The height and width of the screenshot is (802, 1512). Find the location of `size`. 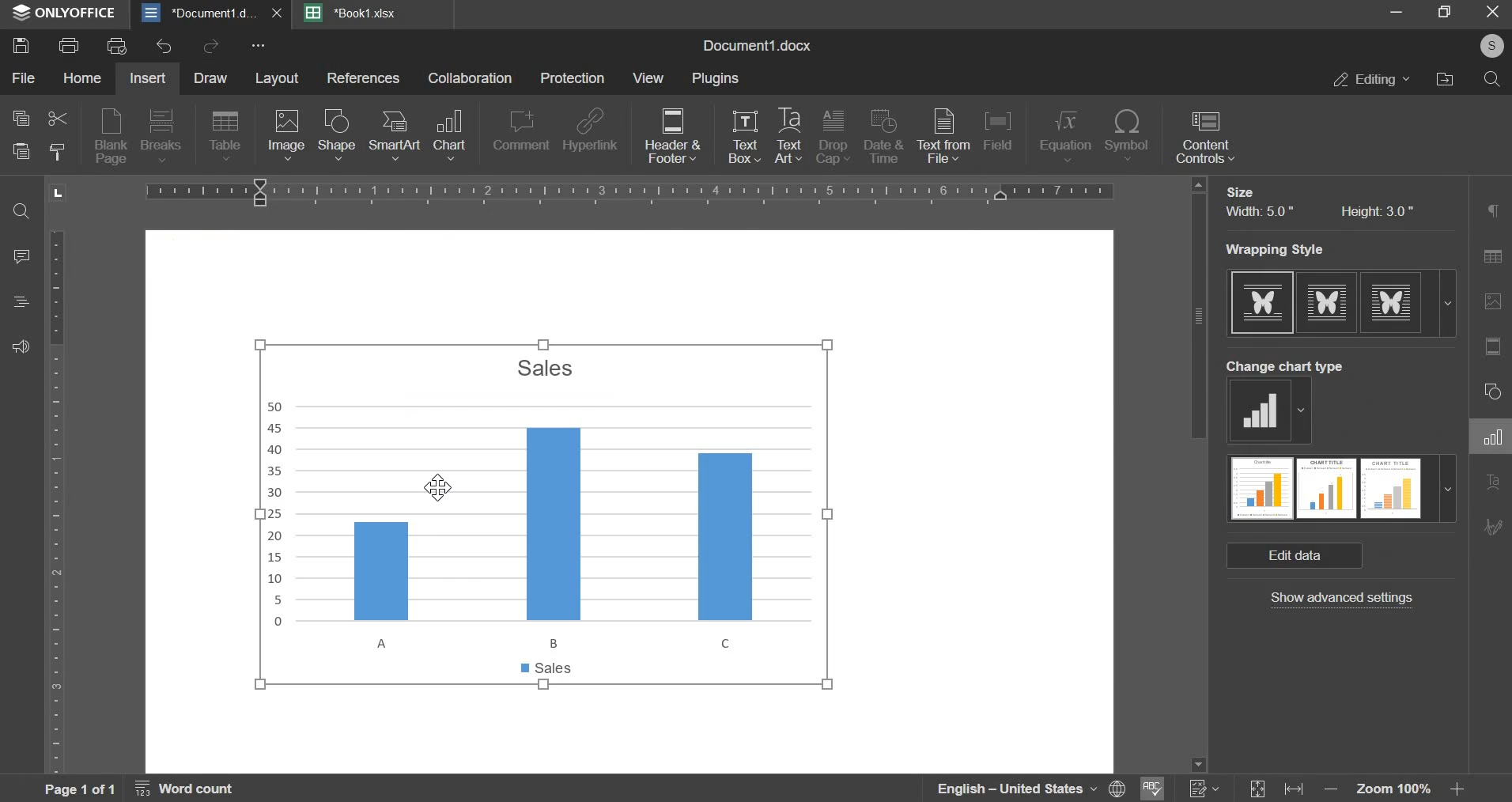

size is located at coordinates (1318, 212).